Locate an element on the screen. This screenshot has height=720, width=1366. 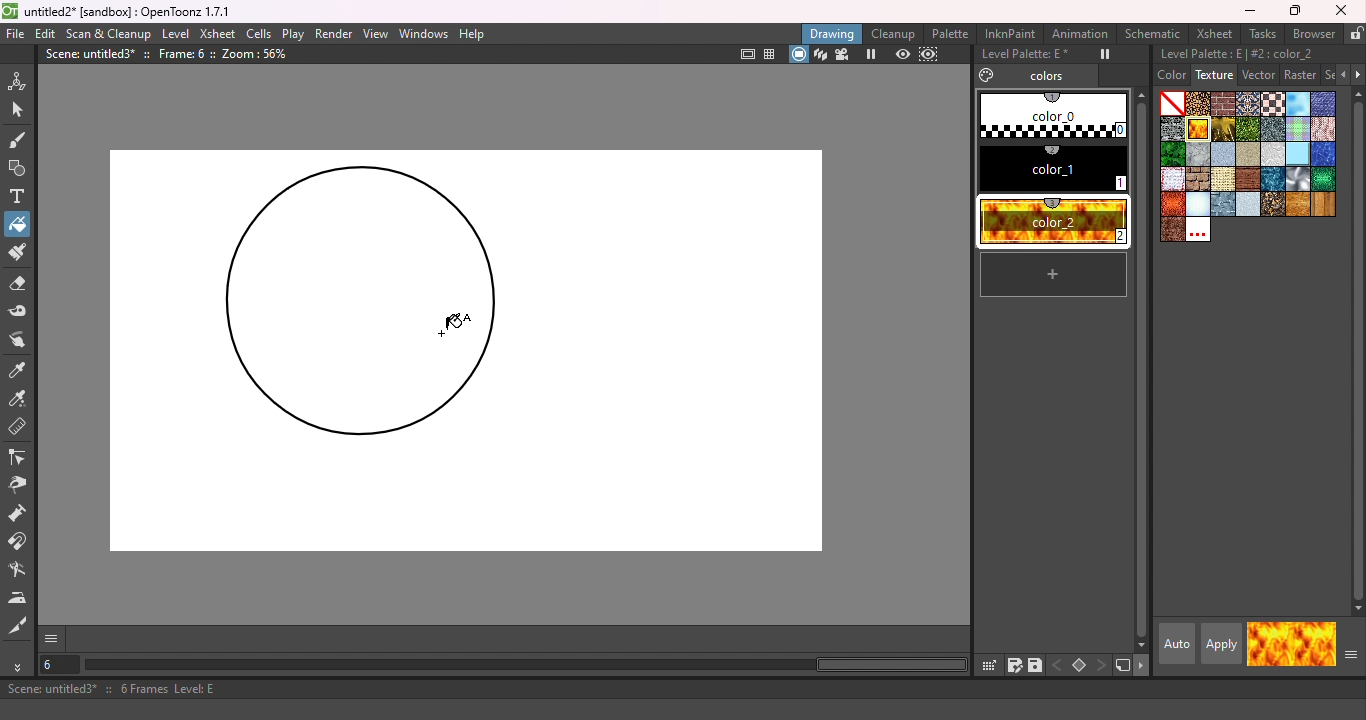
wornleather.bmp is located at coordinates (1174, 231).